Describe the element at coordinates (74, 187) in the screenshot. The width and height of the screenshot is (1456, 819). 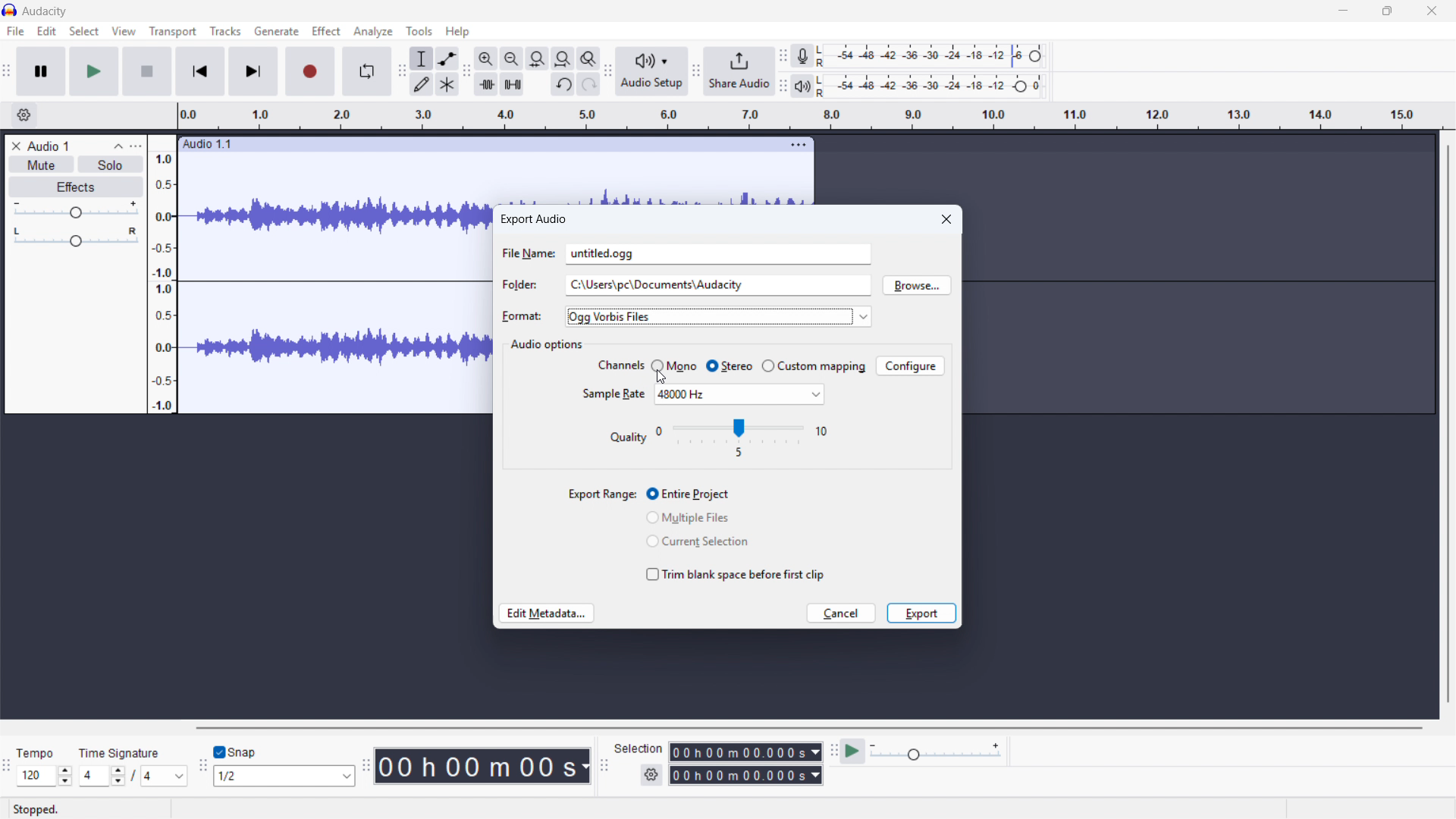
I see `Effects ` at that location.